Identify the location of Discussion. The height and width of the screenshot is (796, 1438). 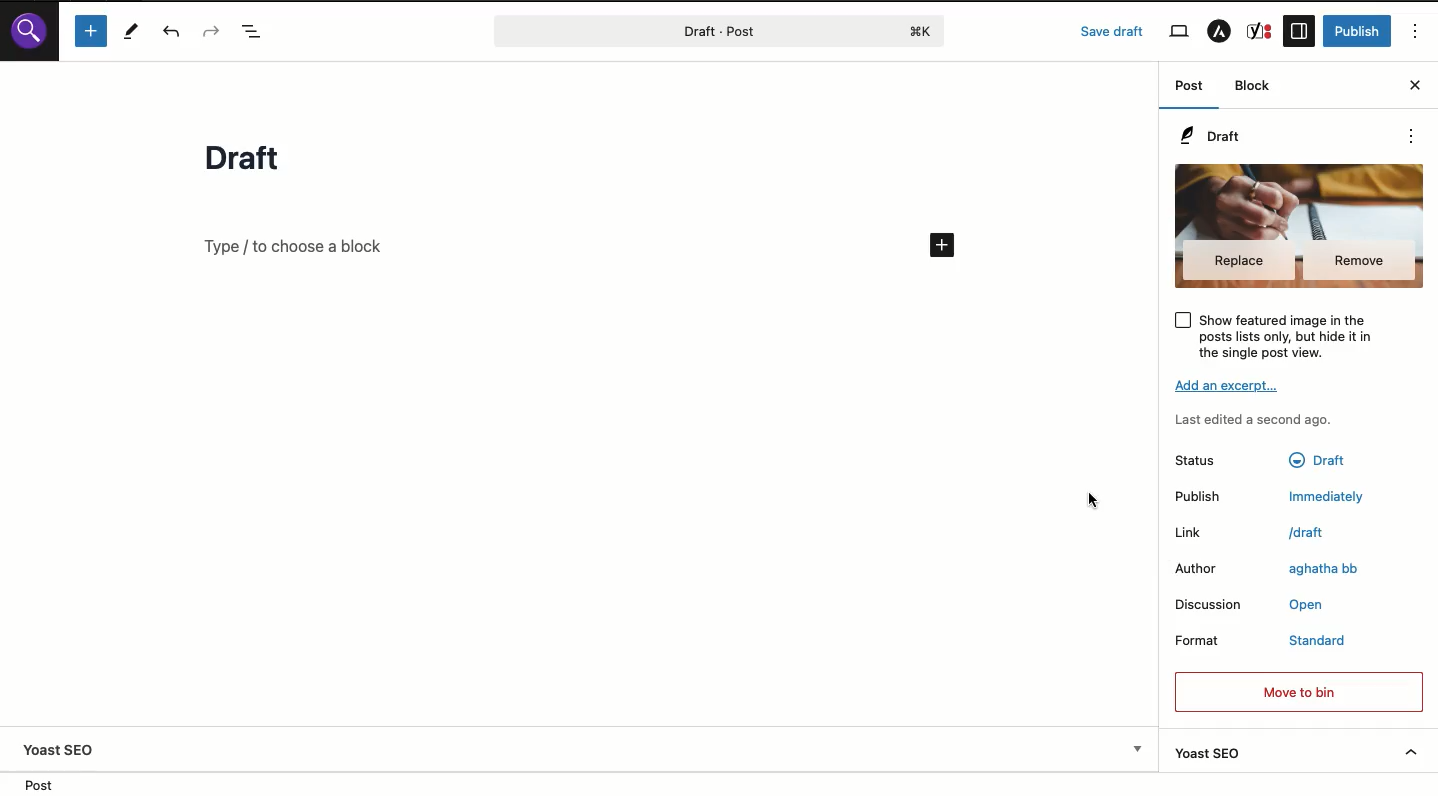
(1209, 605).